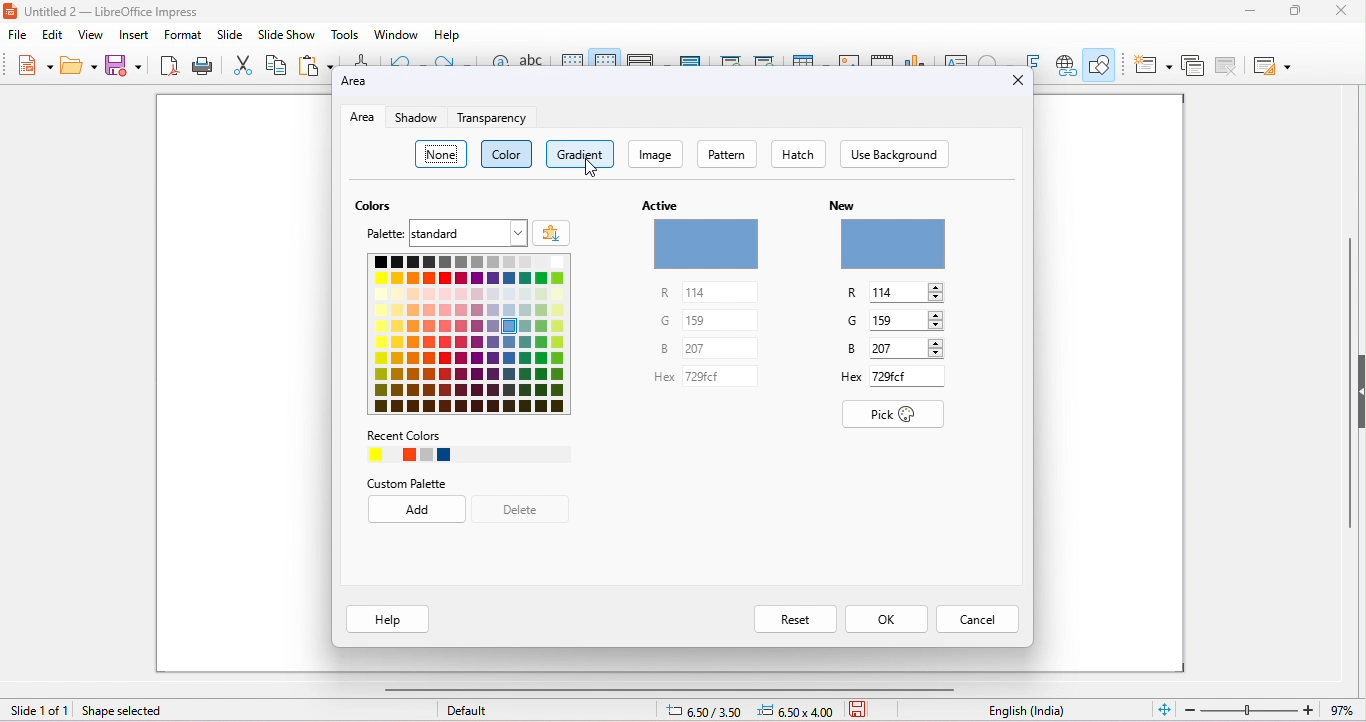  I want to click on fit slide to current window, so click(1165, 708).